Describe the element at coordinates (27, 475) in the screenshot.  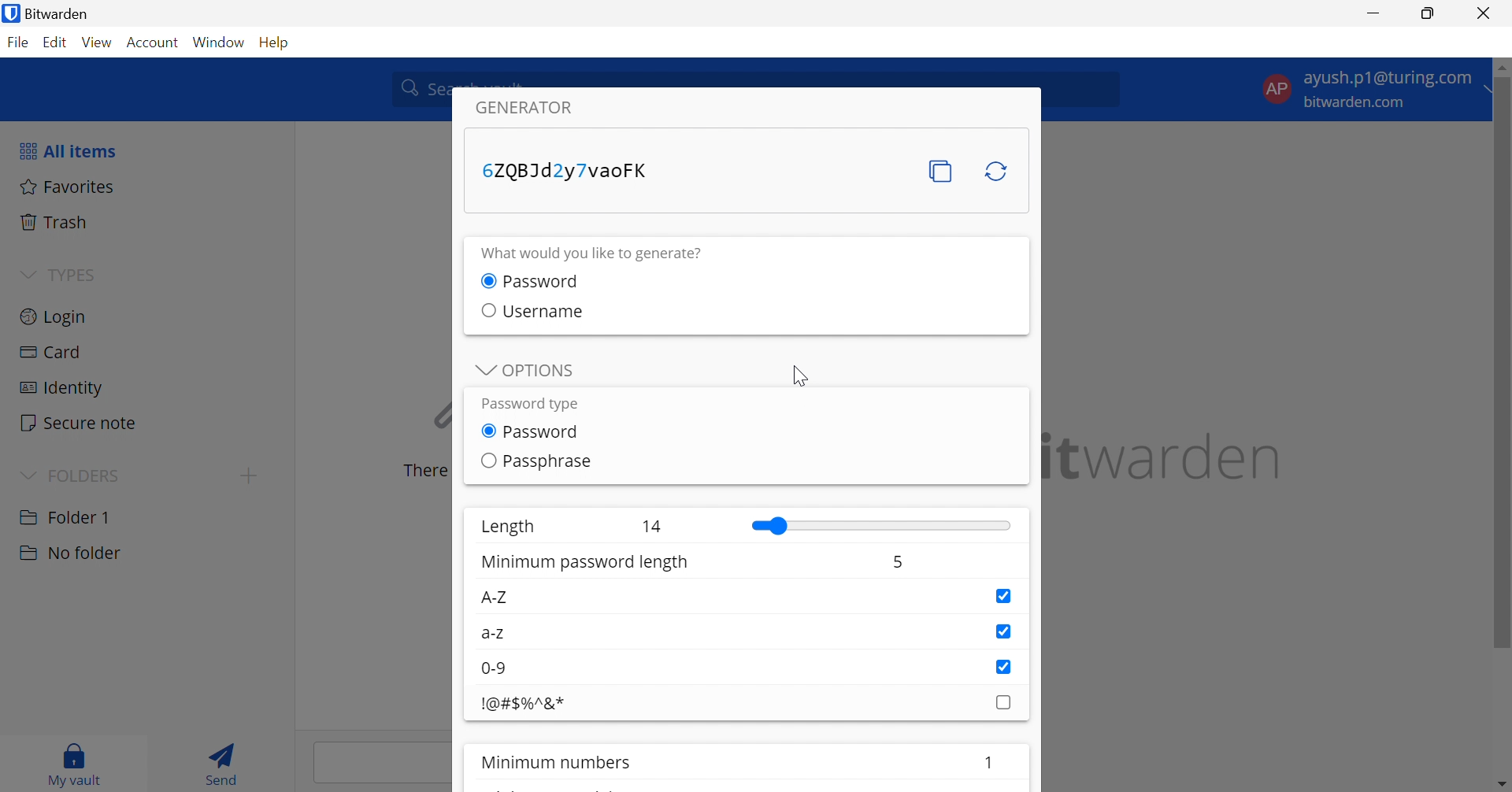
I see `Drop Down` at that location.